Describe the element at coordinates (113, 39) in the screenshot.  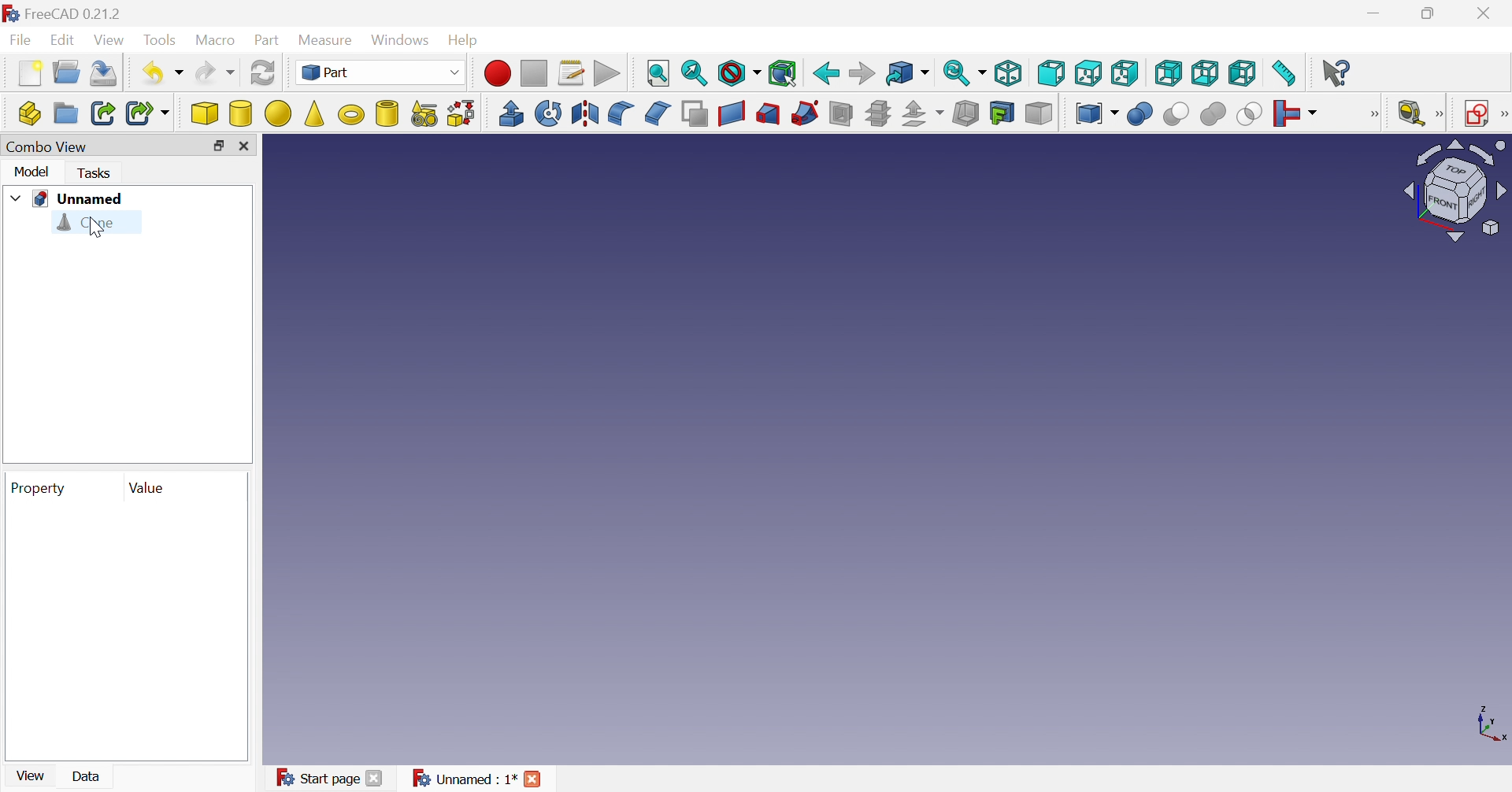
I see `View` at that location.